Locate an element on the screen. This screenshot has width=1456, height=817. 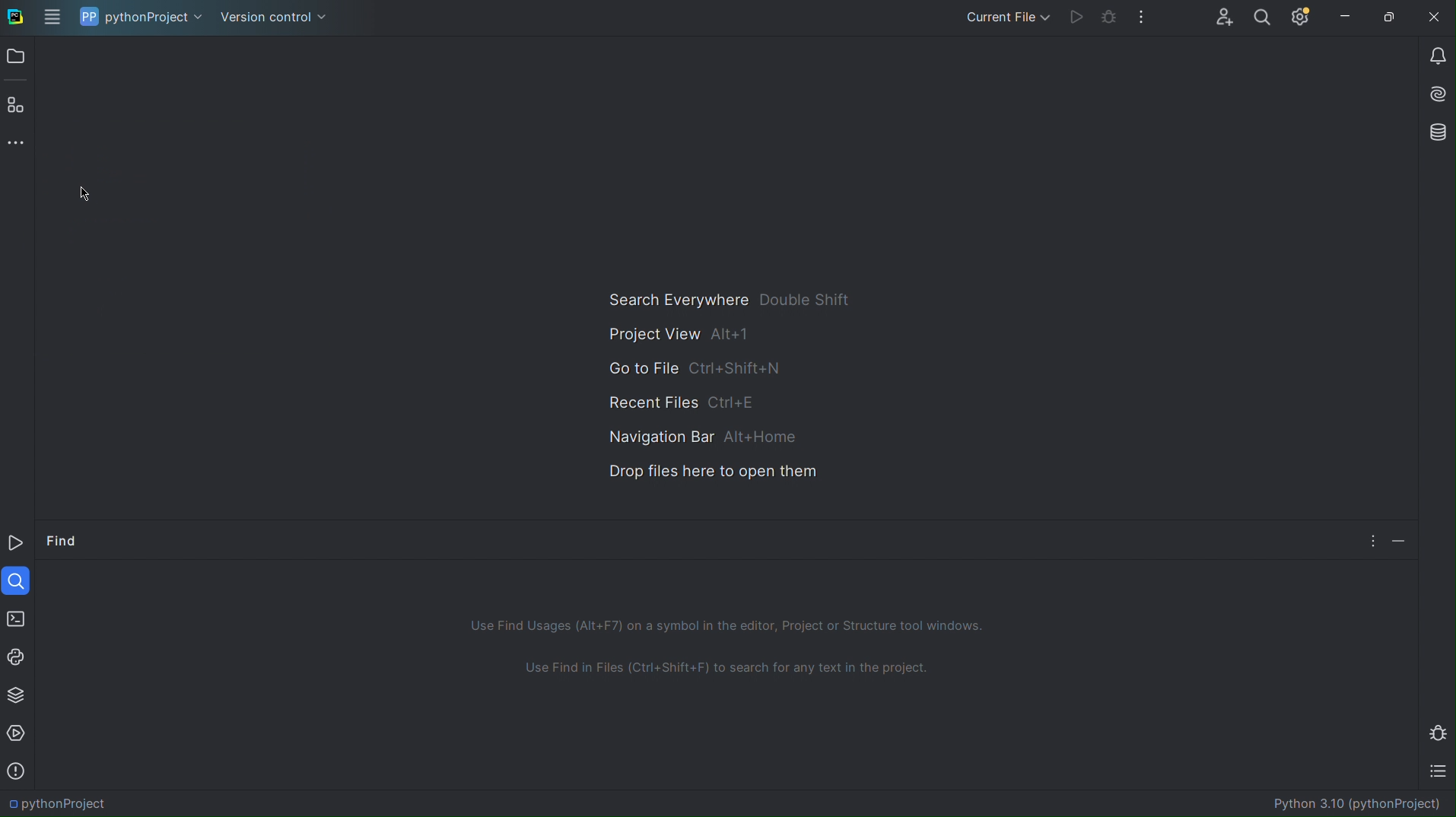
Database is located at coordinates (1434, 132).